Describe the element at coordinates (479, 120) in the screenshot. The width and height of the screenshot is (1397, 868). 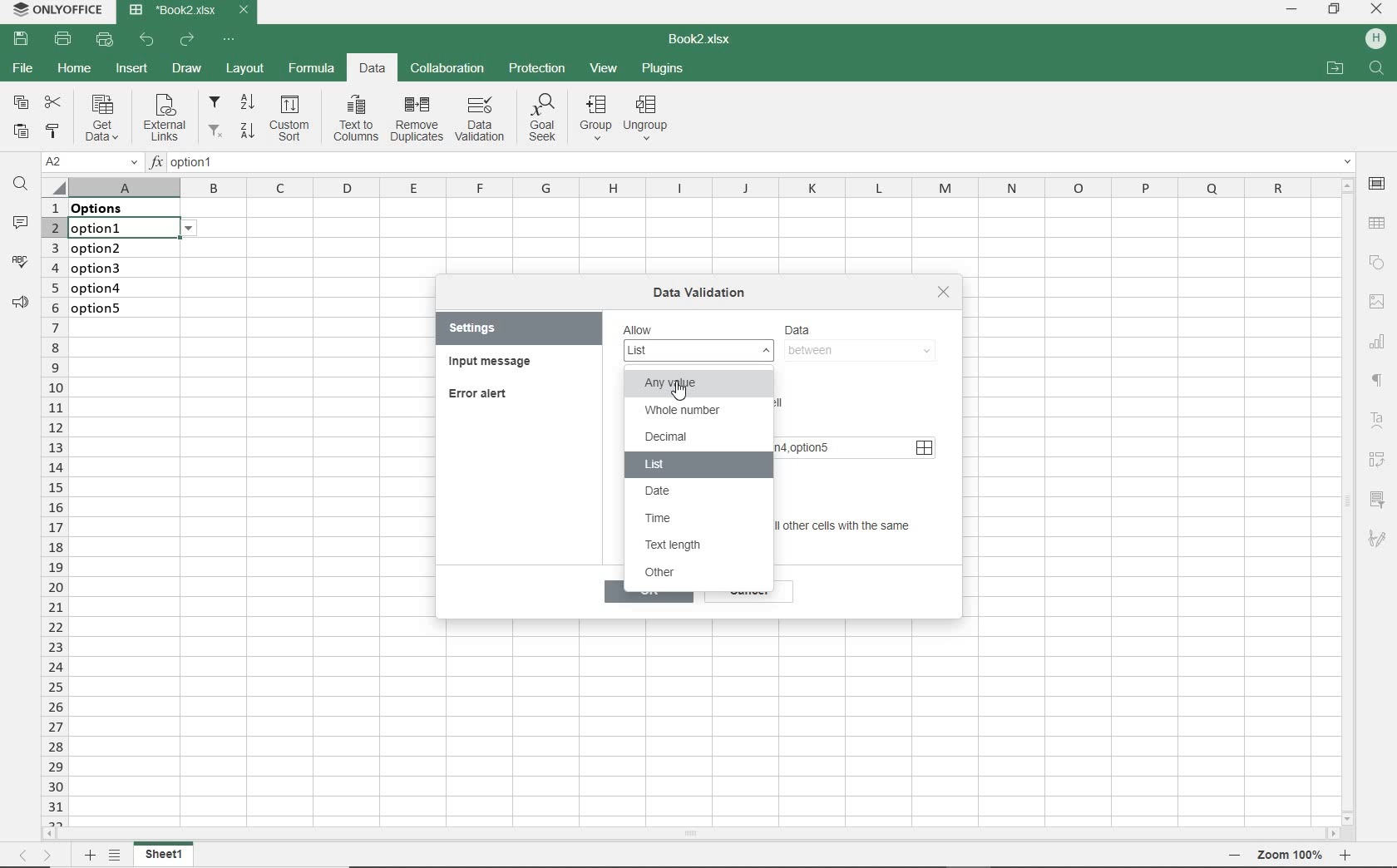
I see `DATA VALIDATION` at that location.